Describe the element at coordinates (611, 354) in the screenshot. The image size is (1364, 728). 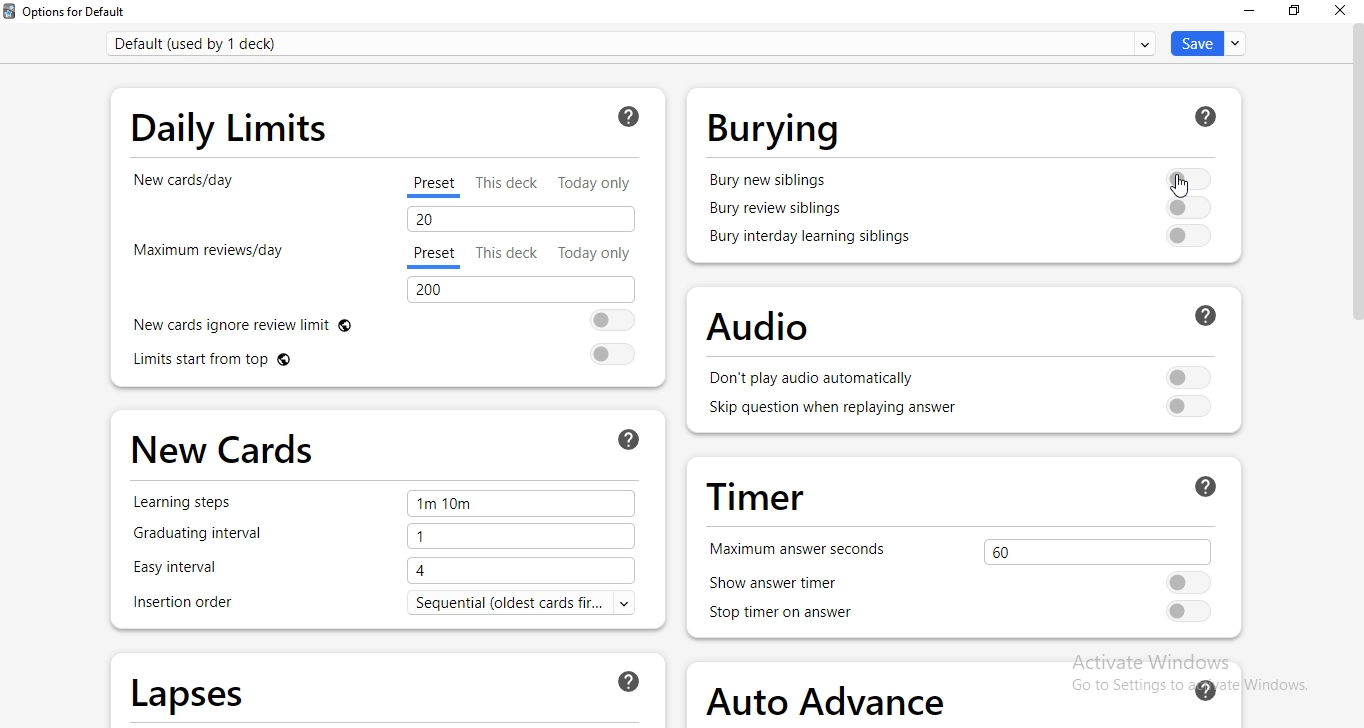
I see `toggle` at that location.